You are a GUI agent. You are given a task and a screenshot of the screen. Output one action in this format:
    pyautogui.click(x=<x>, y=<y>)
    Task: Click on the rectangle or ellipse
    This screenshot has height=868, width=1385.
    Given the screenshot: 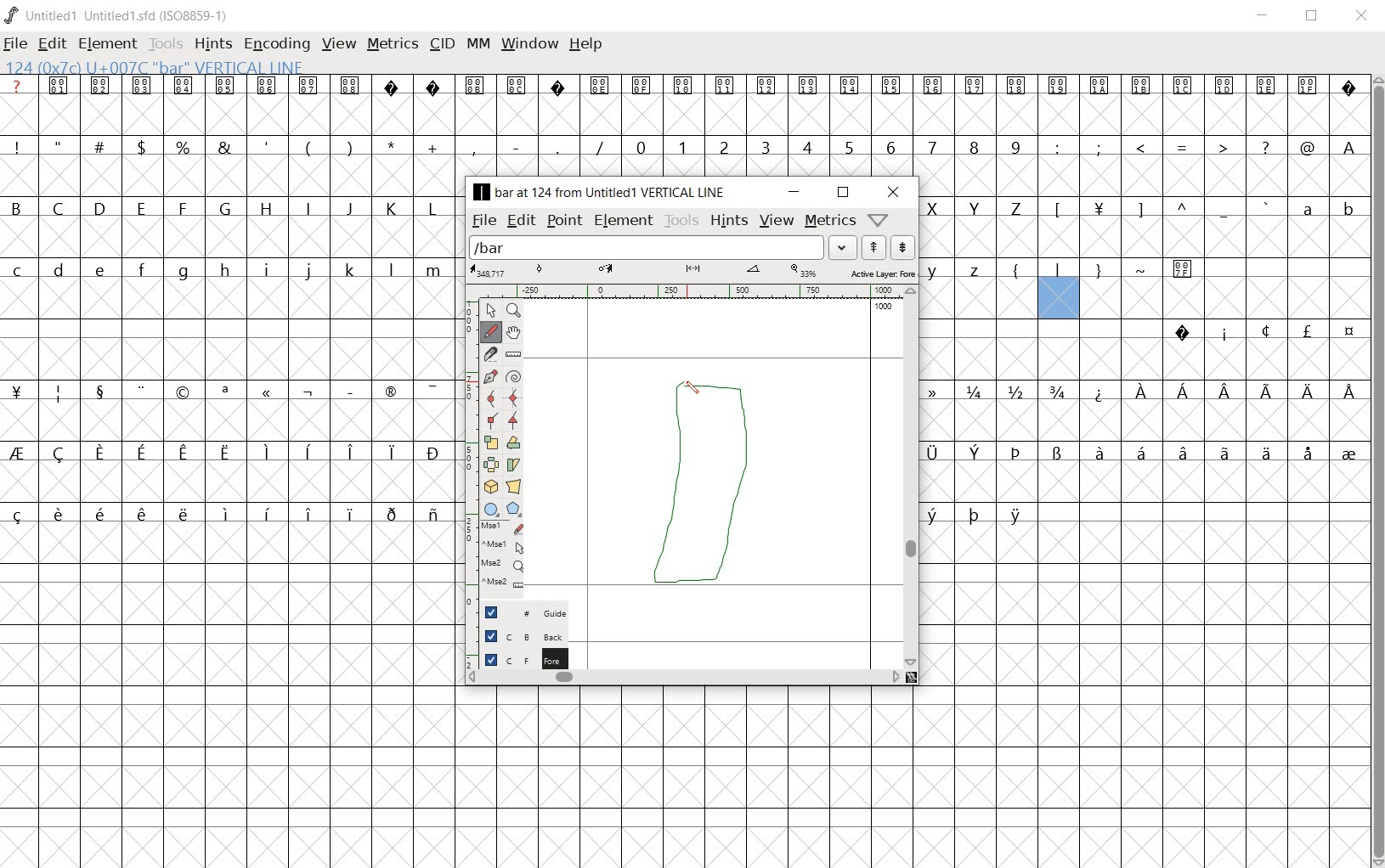 What is the action you would take?
    pyautogui.click(x=489, y=509)
    